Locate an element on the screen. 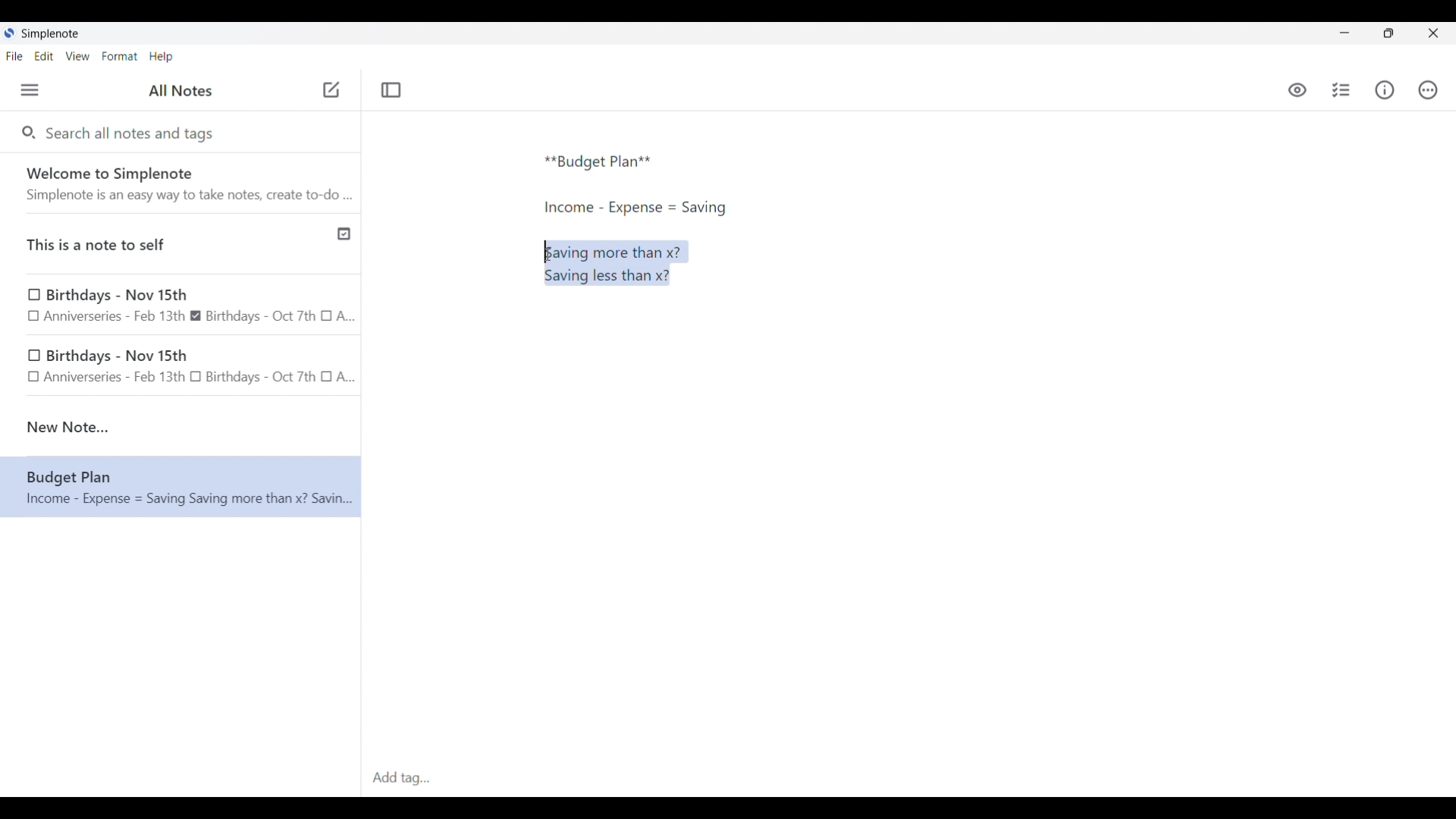 The height and width of the screenshot is (819, 1456). Text typed in is located at coordinates (598, 162).